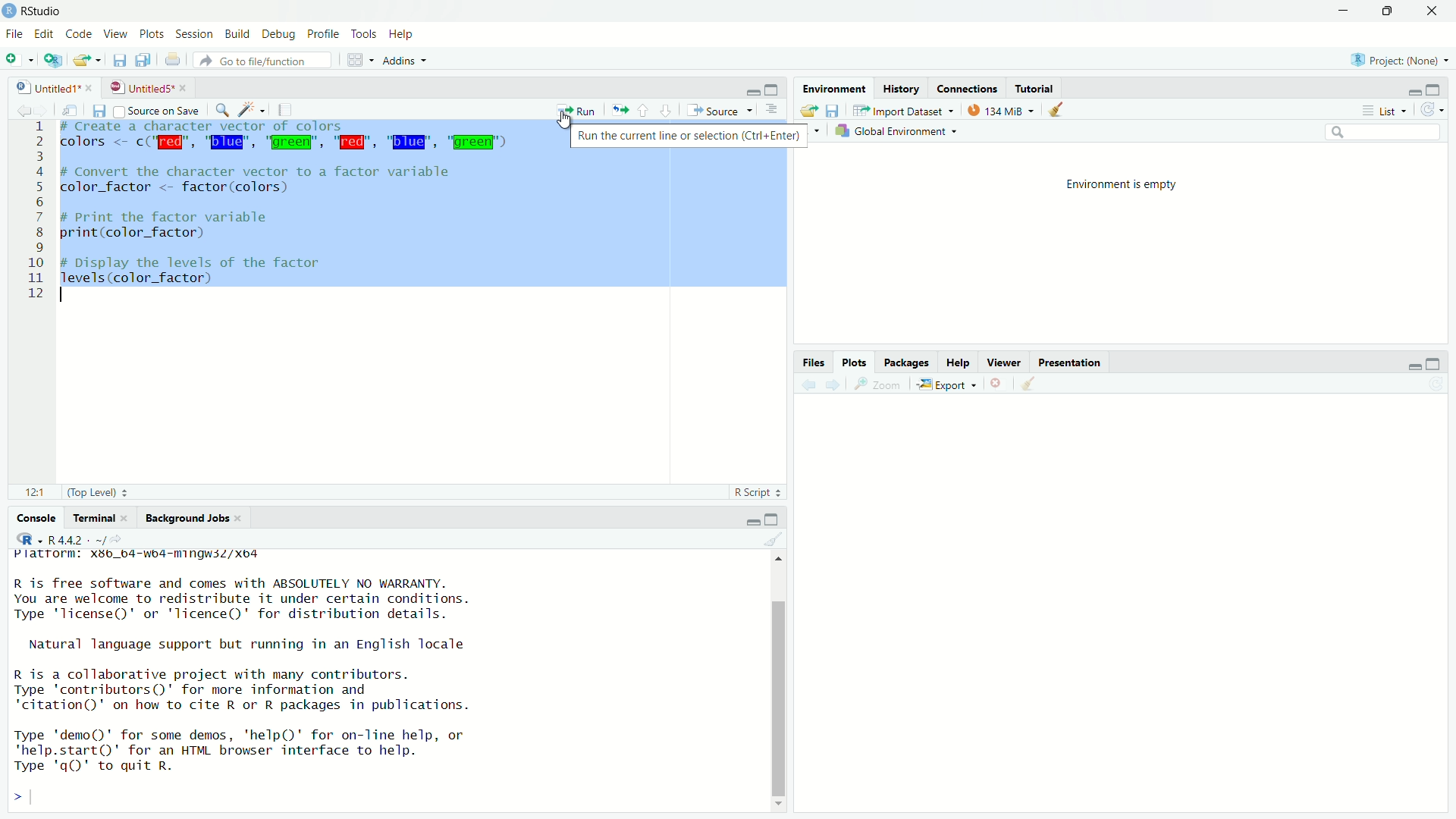 This screenshot has width=1456, height=819. What do you see at coordinates (271, 180) in the screenshot?
I see `# Convert the character vector to a factor variable
color_factor <- factor (colors)` at bounding box center [271, 180].